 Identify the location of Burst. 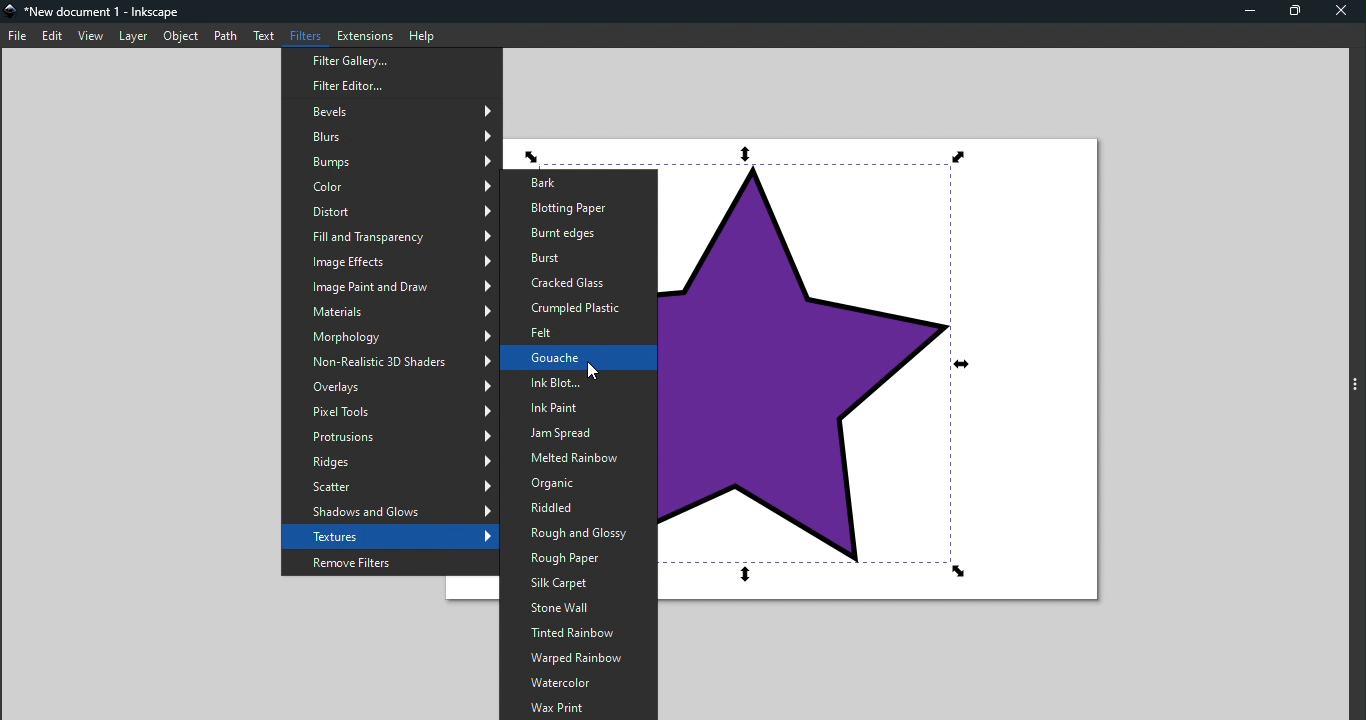
(576, 259).